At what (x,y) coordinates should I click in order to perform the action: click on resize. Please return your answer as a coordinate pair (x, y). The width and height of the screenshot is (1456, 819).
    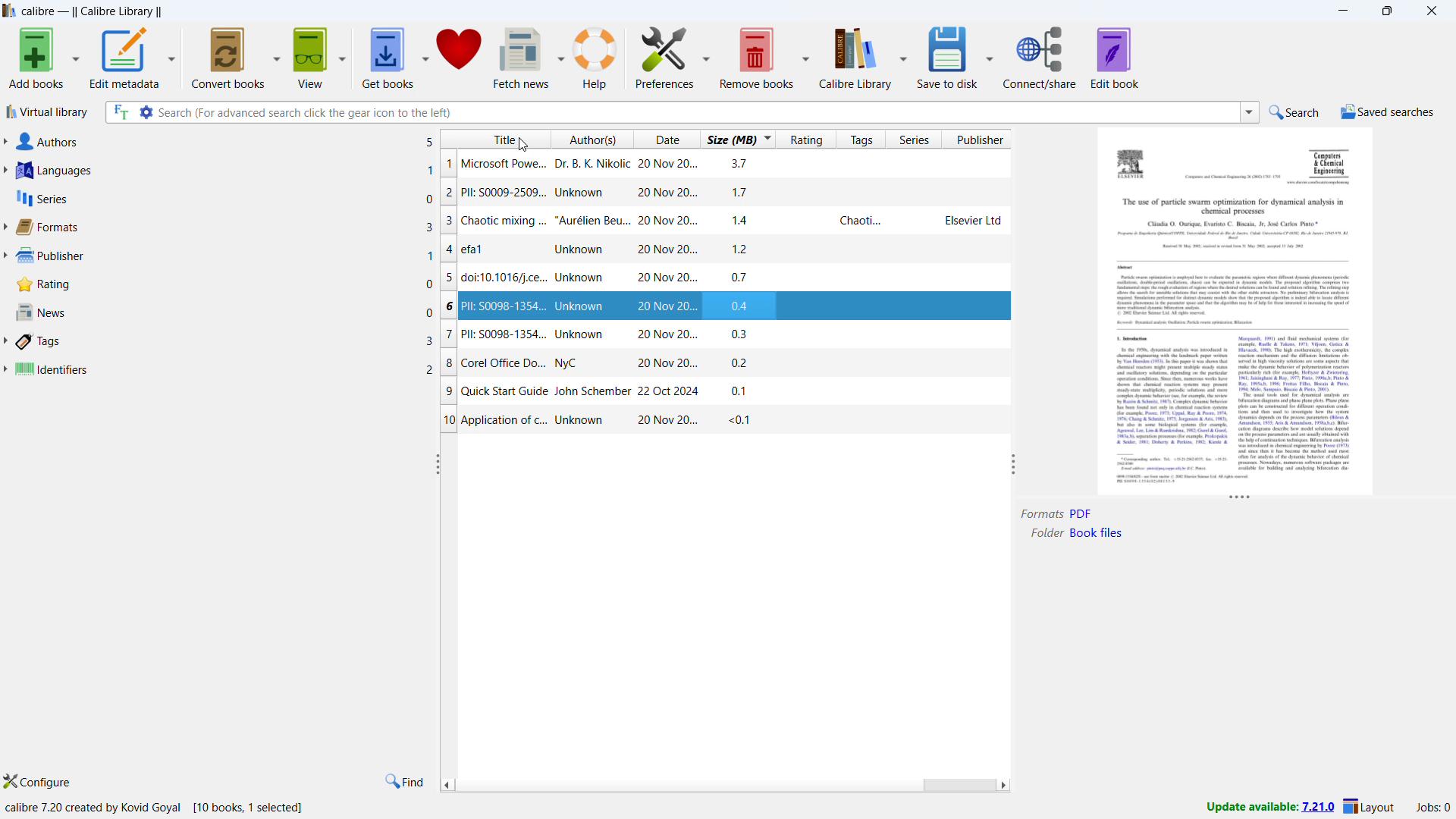
    Looking at the image, I should click on (1241, 498).